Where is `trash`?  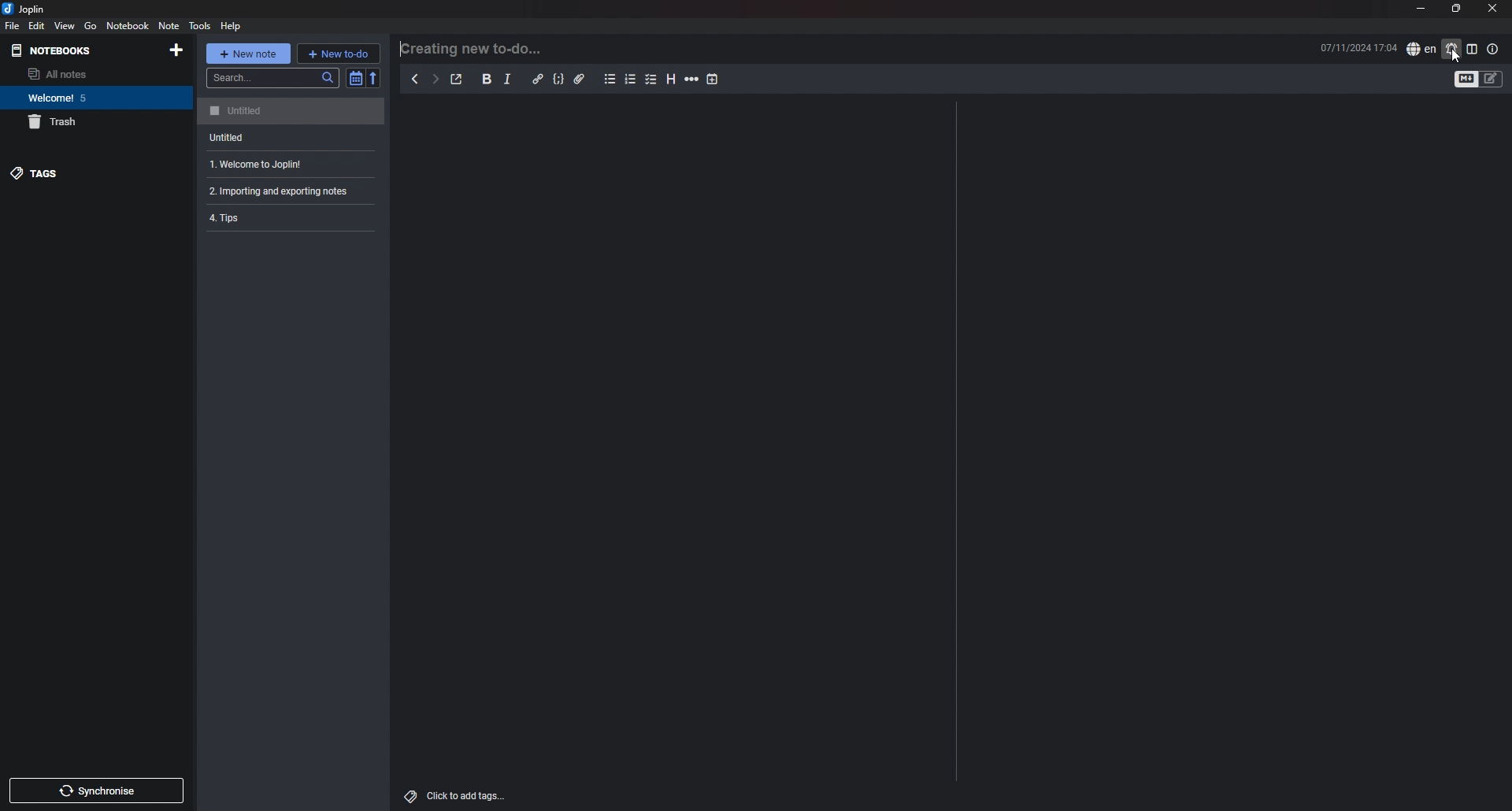 trash is located at coordinates (87, 122).